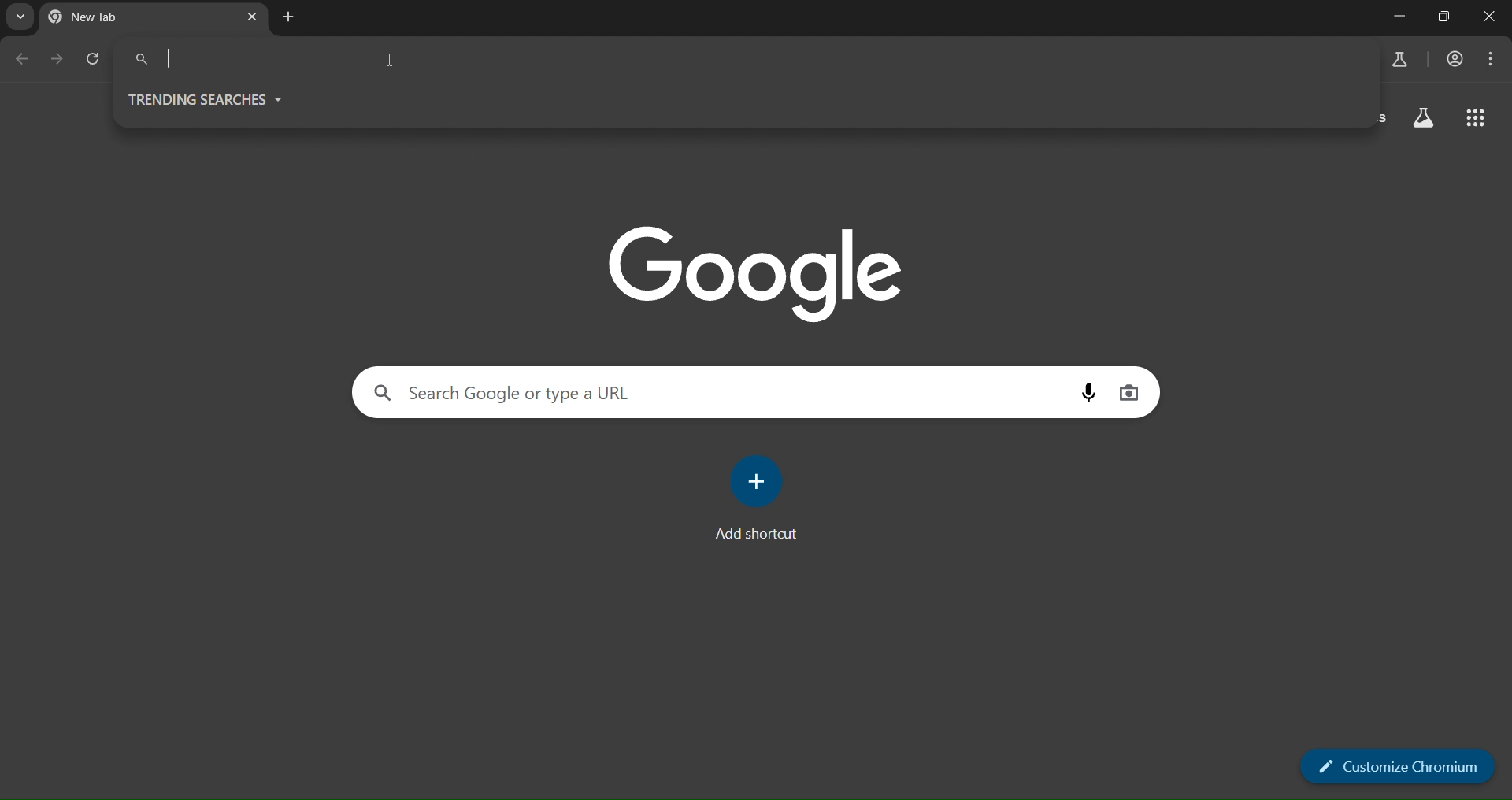 This screenshot has width=1512, height=800. What do you see at coordinates (57, 61) in the screenshot?
I see `go forward one page` at bounding box center [57, 61].